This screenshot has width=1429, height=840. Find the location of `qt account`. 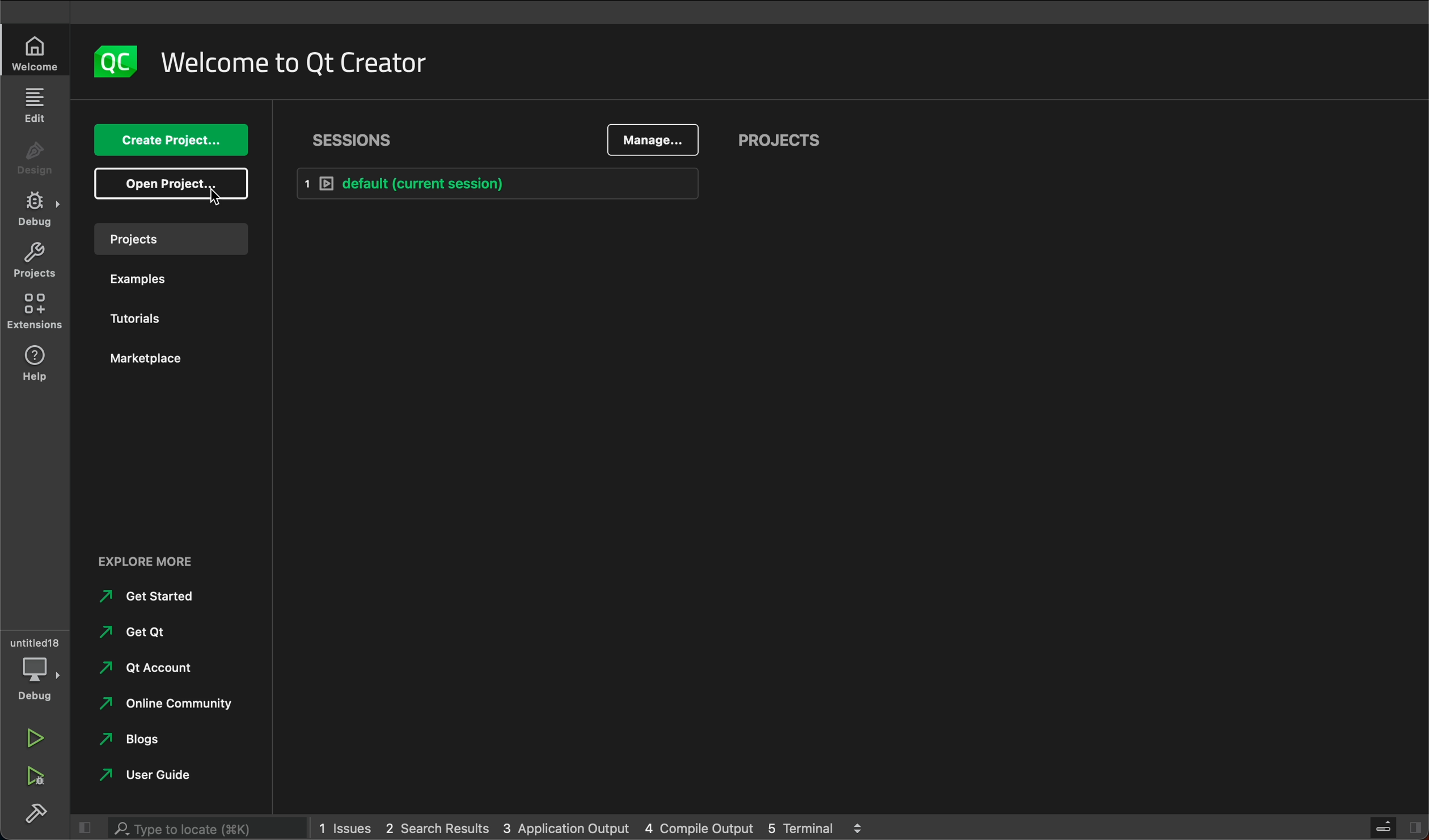

qt account is located at coordinates (150, 668).